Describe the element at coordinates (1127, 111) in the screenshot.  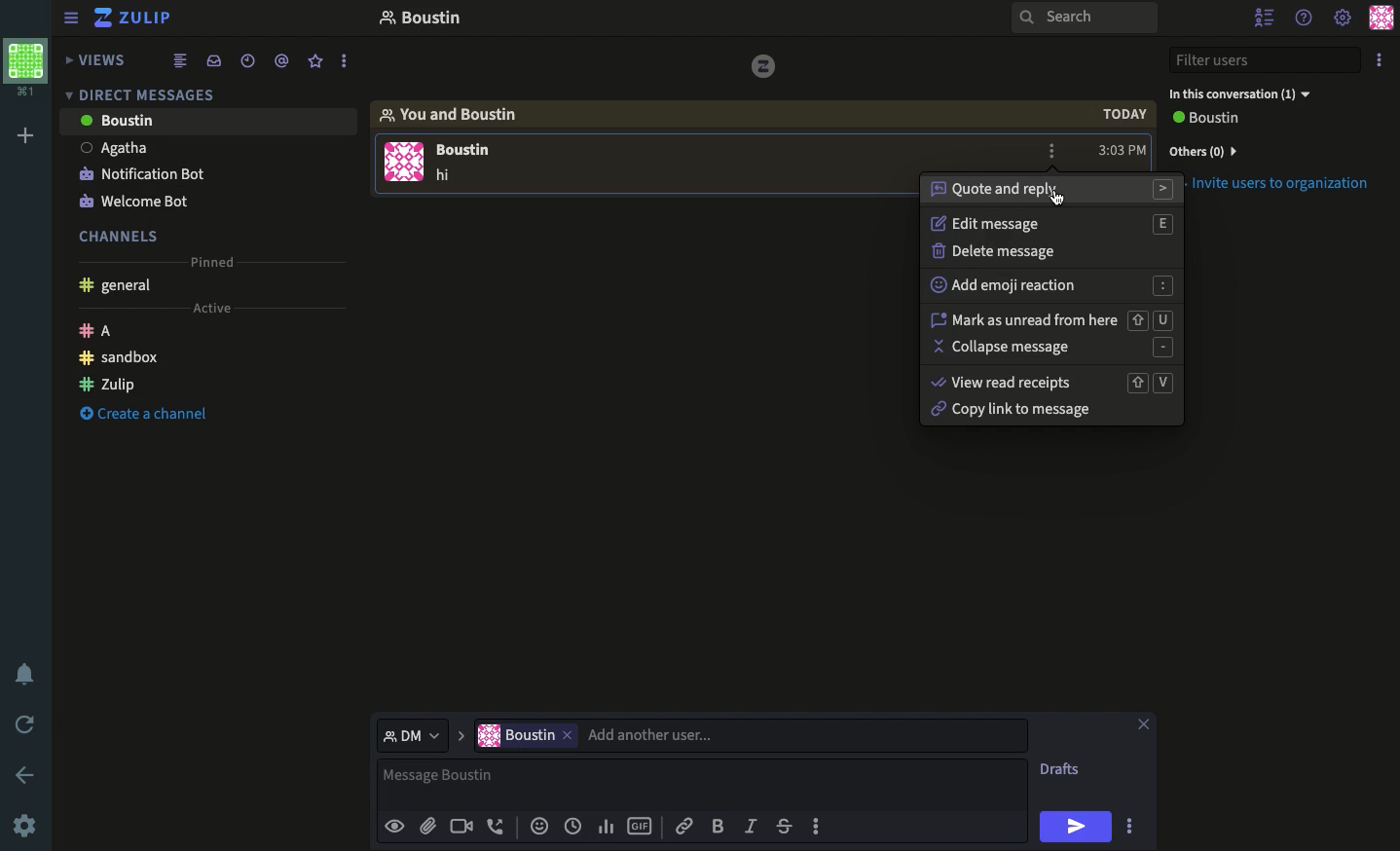
I see `today` at that location.